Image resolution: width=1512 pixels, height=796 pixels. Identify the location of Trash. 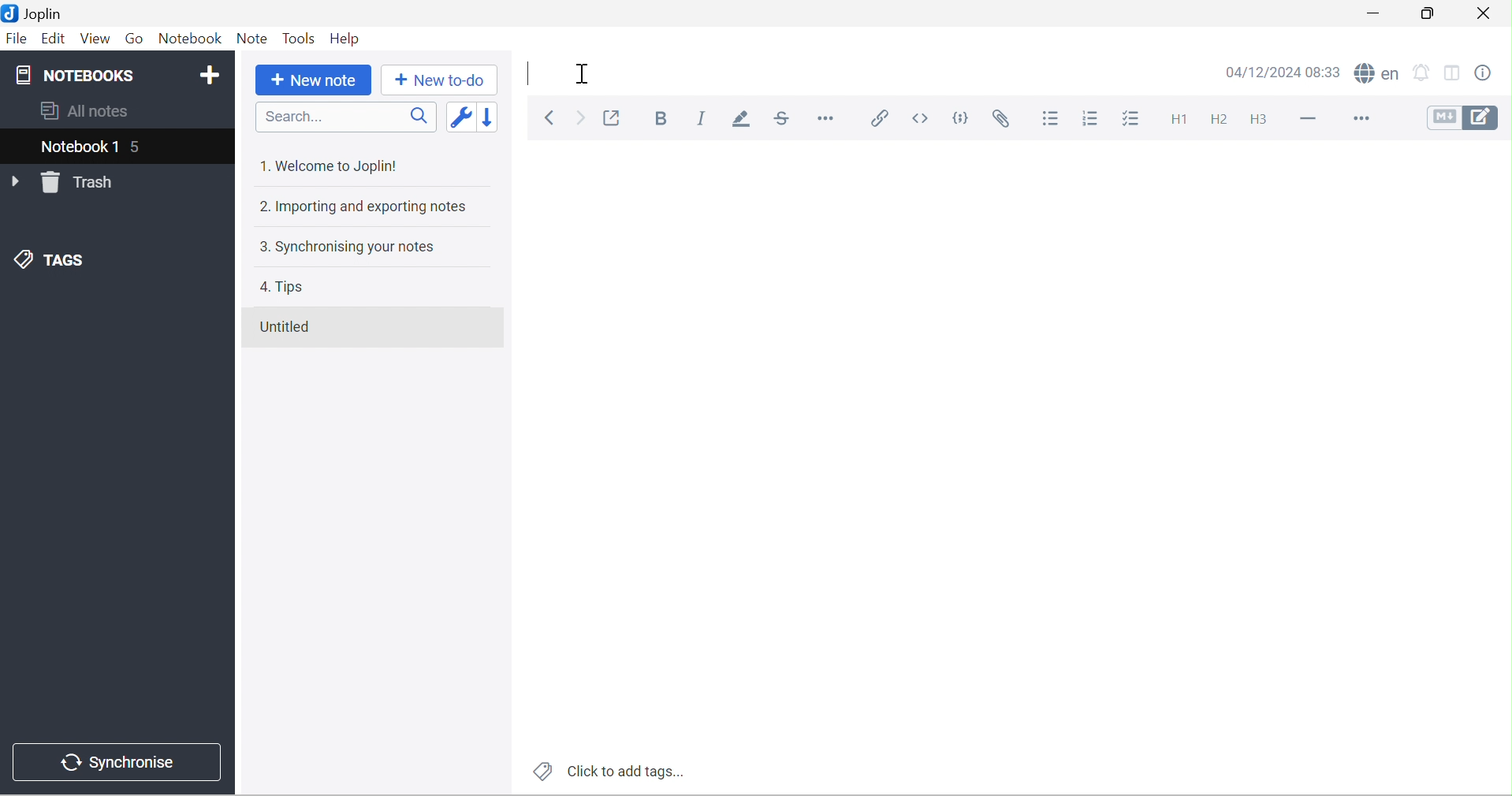
(81, 183).